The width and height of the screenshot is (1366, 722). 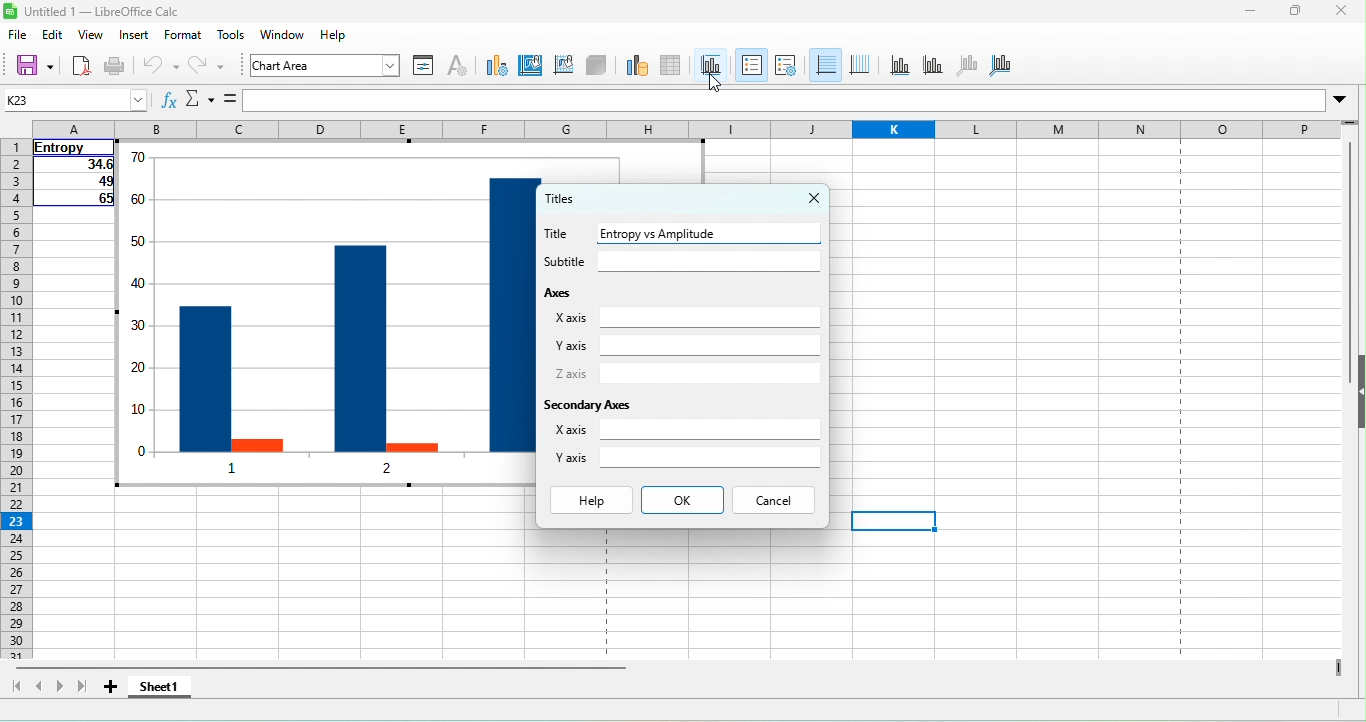 What do you see at coordinates (117, 65) in the screenshot?
I see `print` at bounding box center [117, 65].